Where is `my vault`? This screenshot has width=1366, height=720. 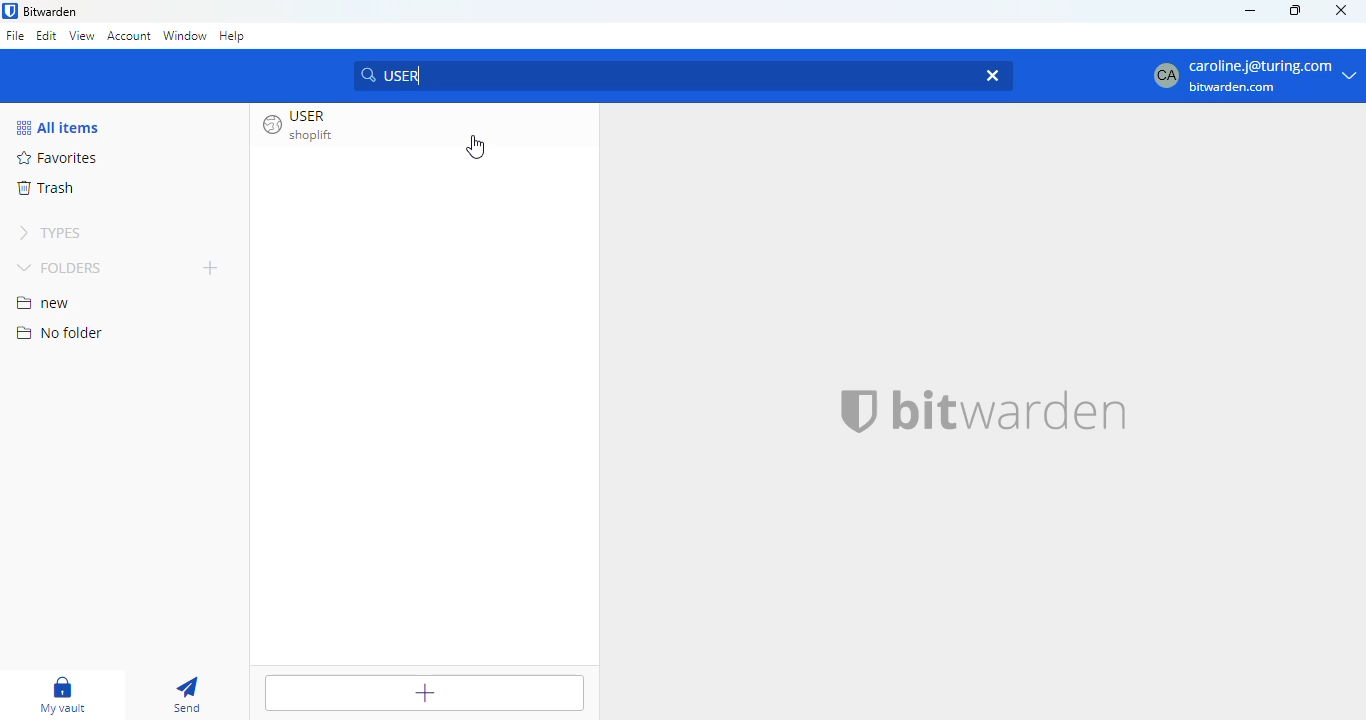 my vault is located at coordinates (66, 695).